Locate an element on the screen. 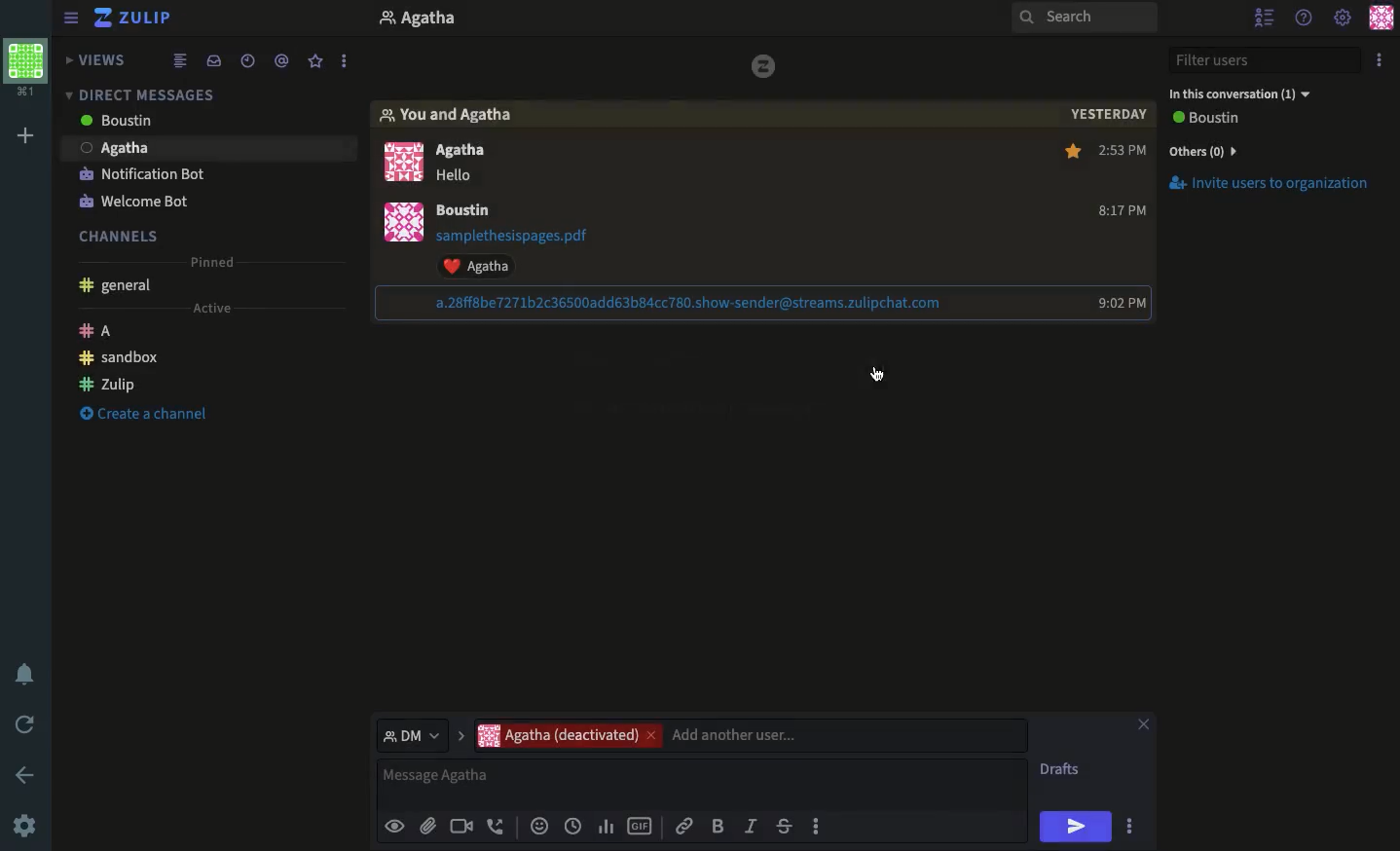  Search is located at coordinates (1085, 18).